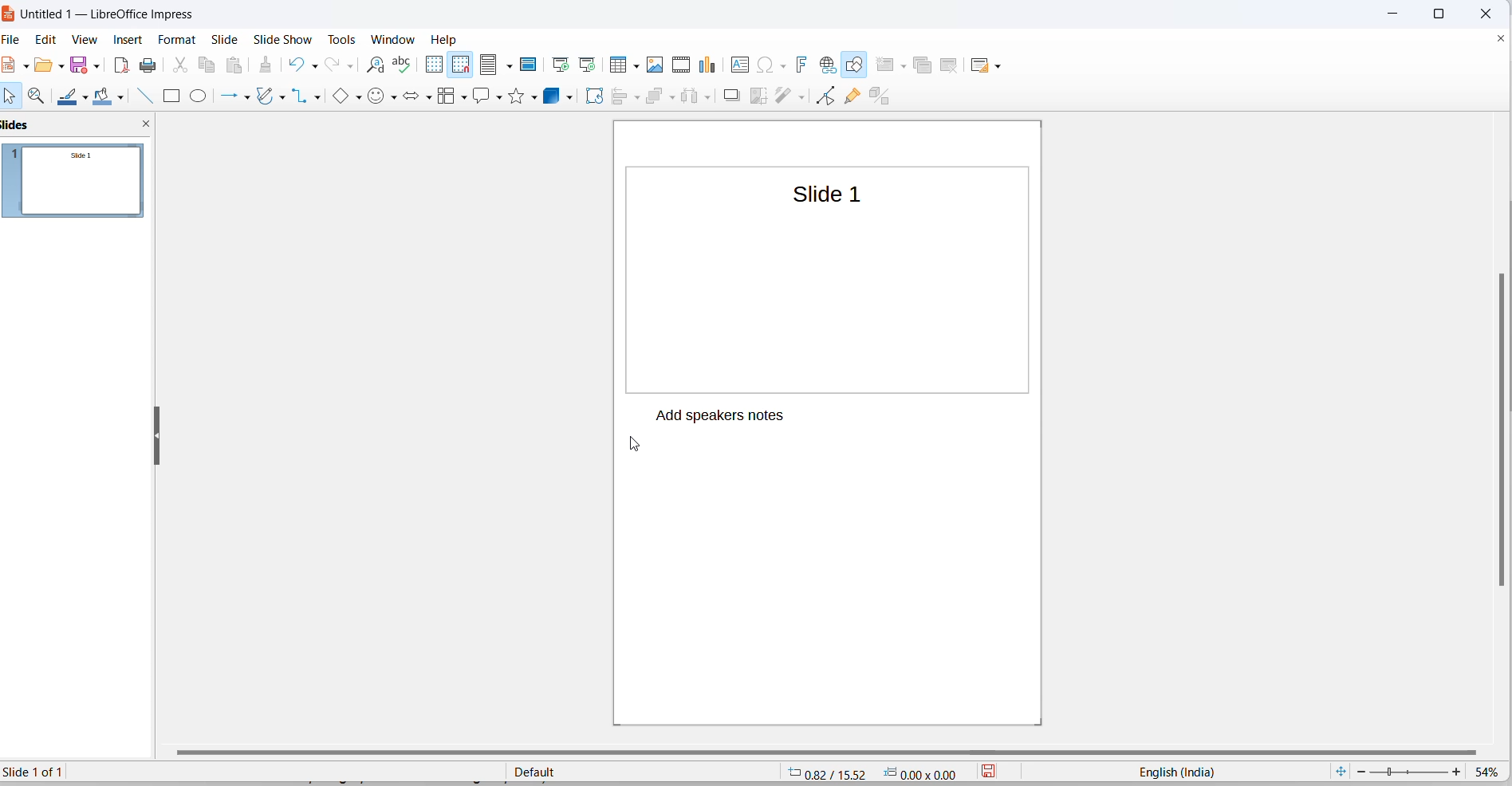 The width and height of the screenshot is (1512, 786). Describe the element at coordinates (619, 99) in the screenshot. I see `align` at that location.